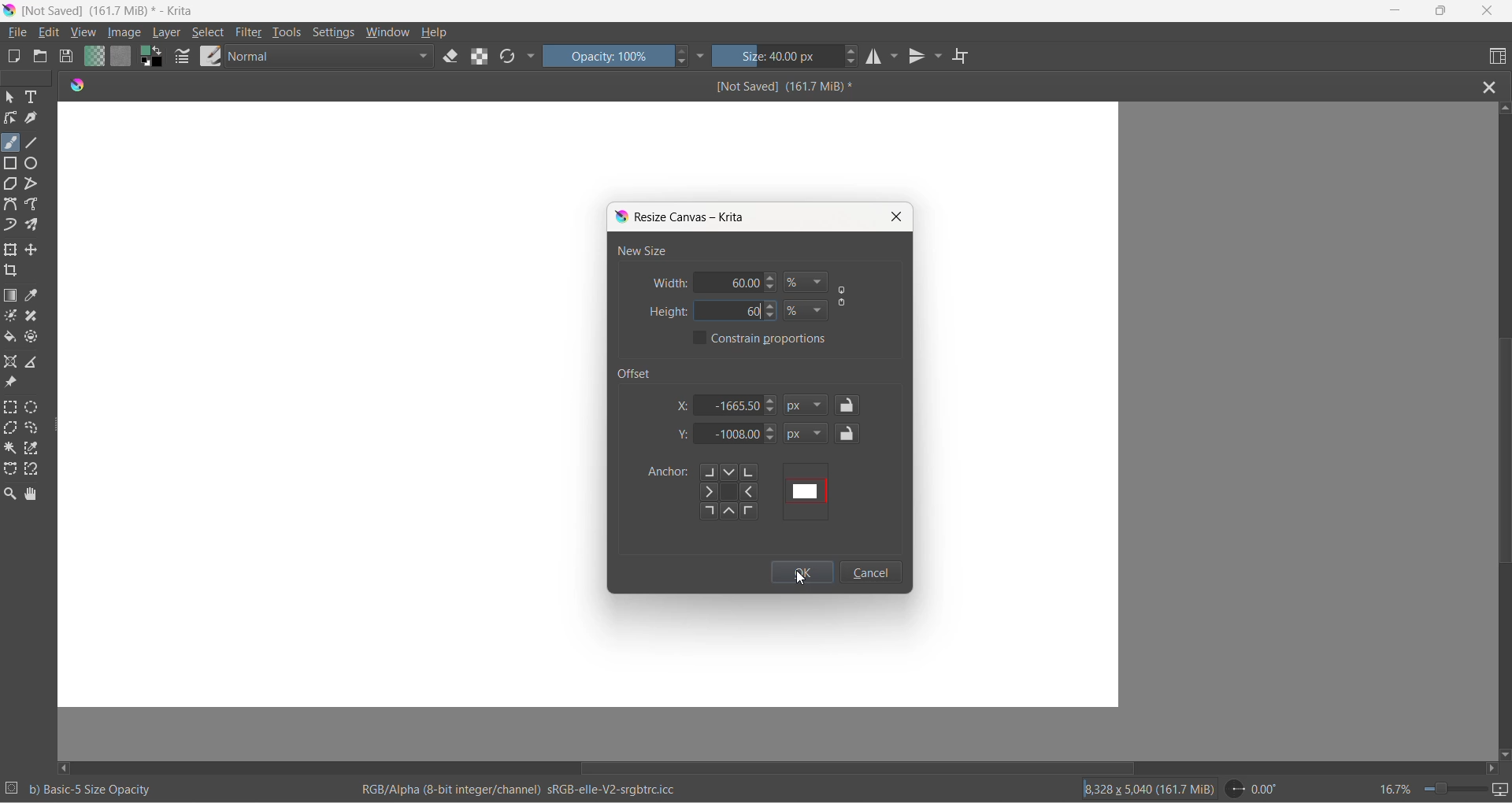 This screenshot has height=803, width=1512. I want to click on File name and size, so click(105, 12).